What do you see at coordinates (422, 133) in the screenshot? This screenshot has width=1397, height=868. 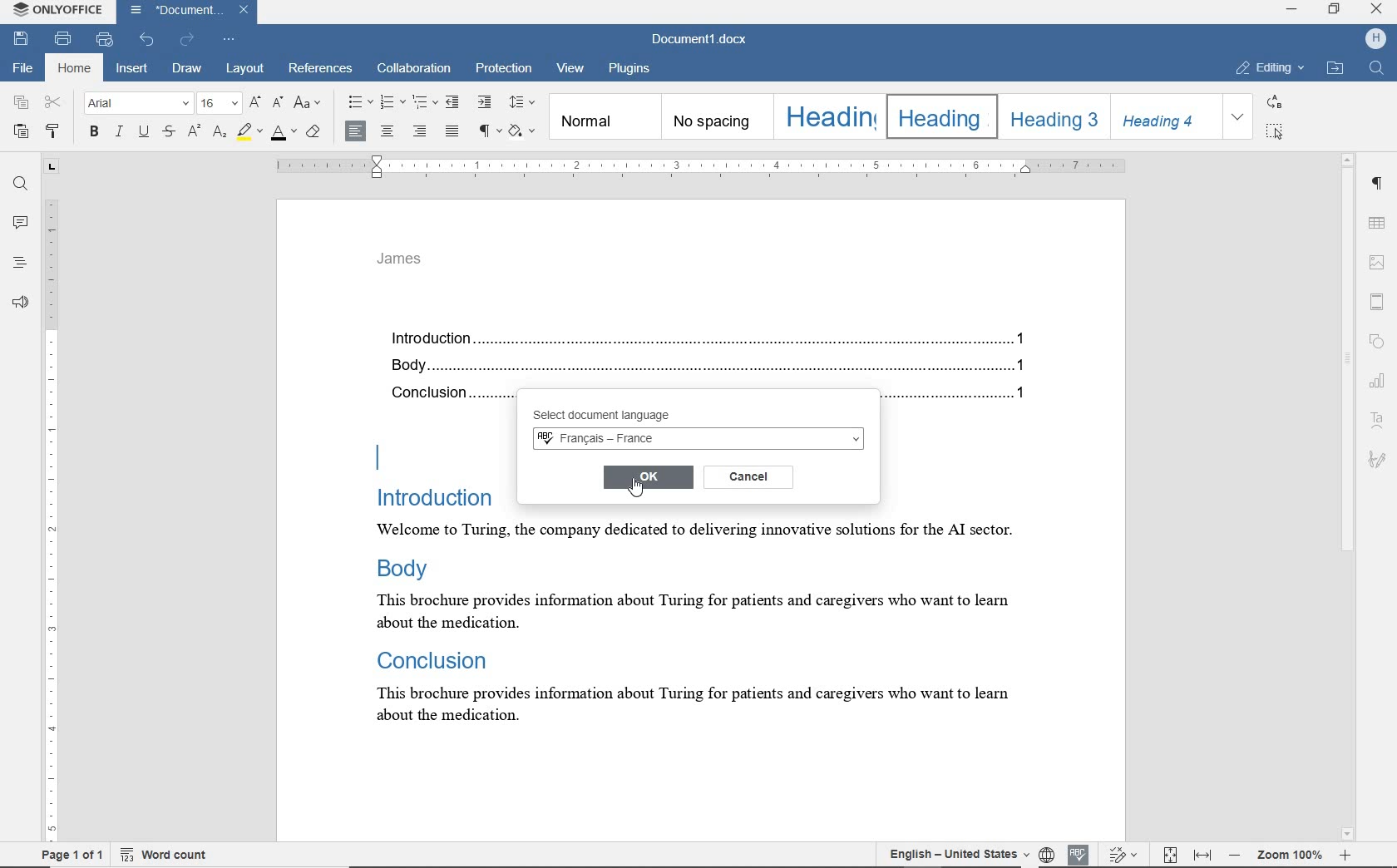 I see `align right` at bounding box center [422, 133].